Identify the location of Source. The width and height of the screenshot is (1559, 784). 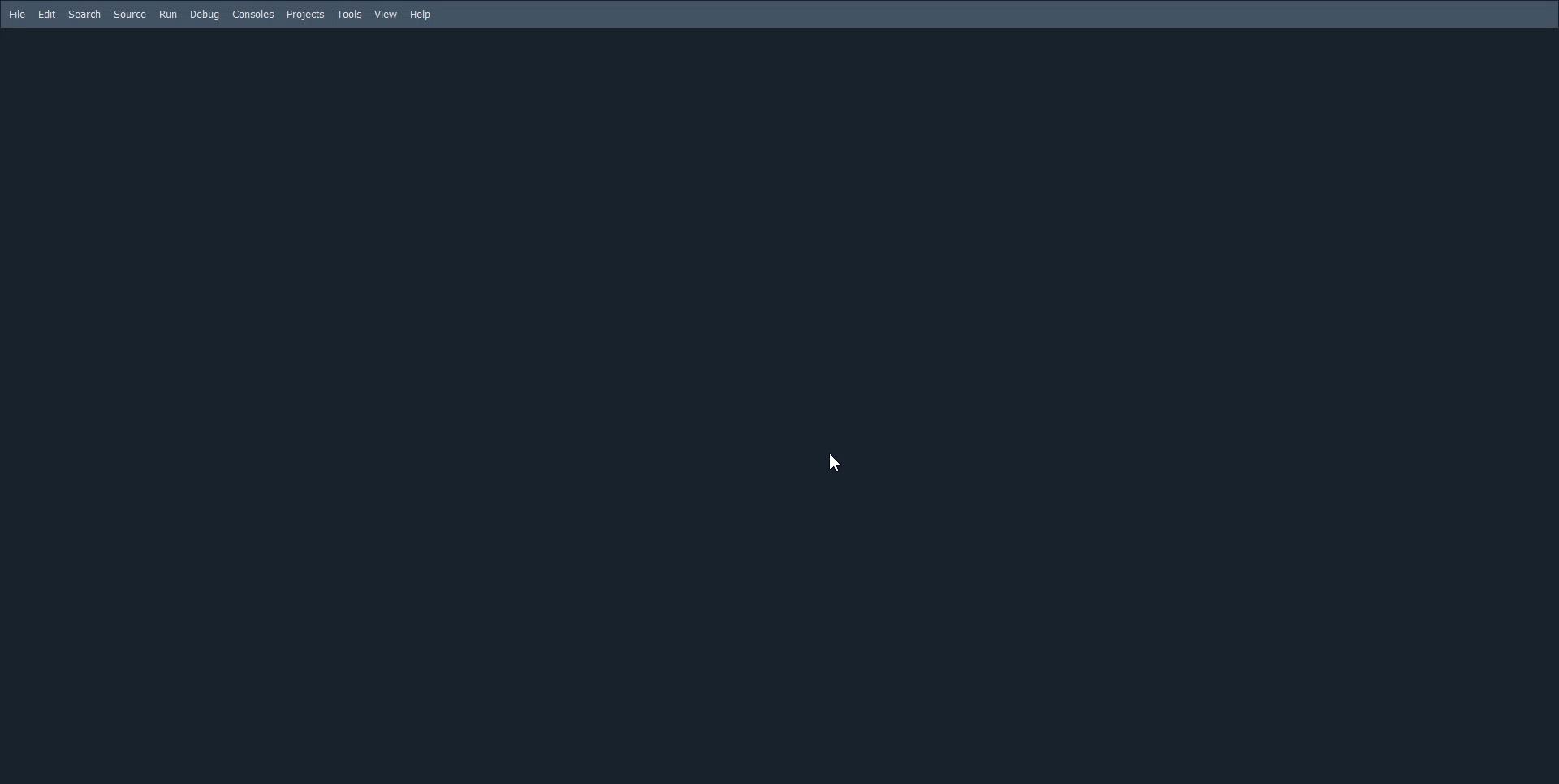
(129, 13).